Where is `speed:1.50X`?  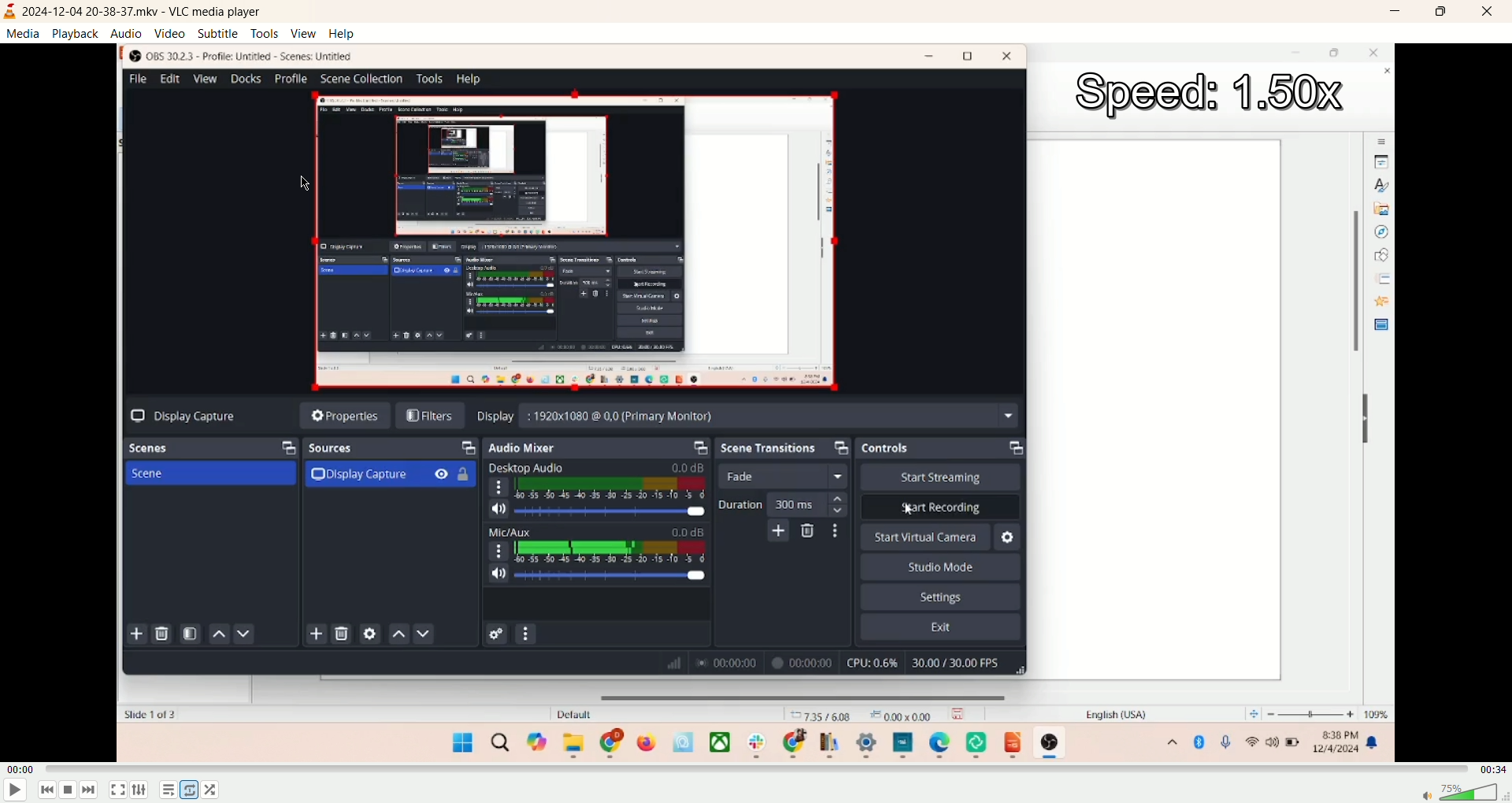 speed:1.50X is located at coordinates (1220, 93).